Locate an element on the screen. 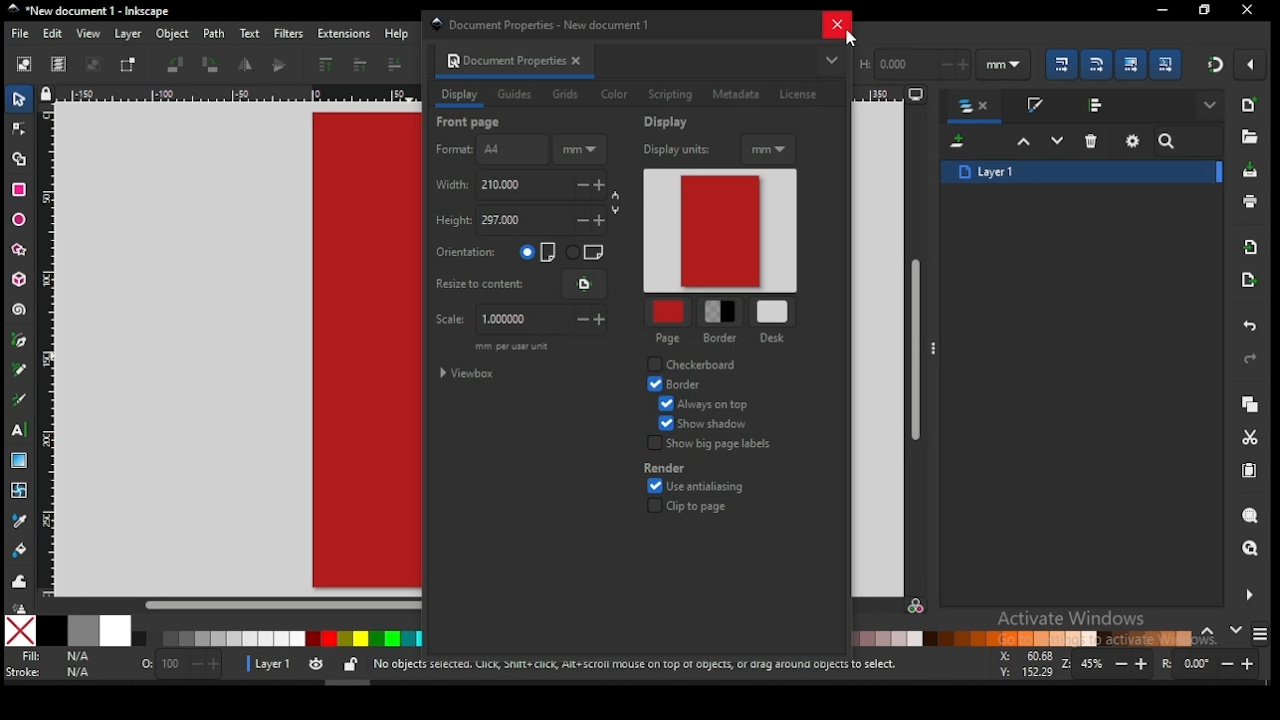 The width and height of the screenshot is (1280, 720). dropper tool is located at coordinates (20, 519).